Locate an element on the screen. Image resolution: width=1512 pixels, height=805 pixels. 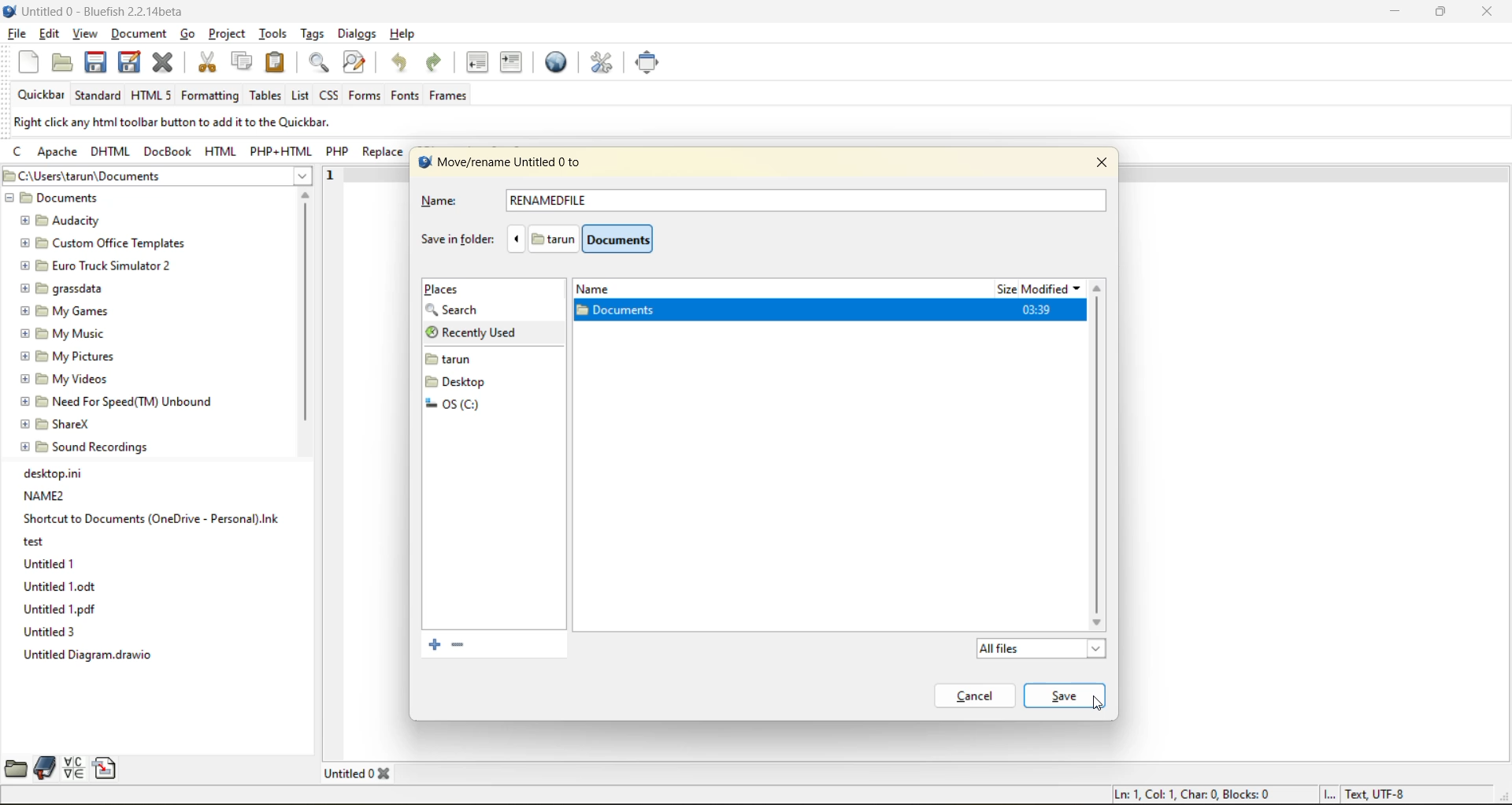
standard is located at coordinates (102, 95).